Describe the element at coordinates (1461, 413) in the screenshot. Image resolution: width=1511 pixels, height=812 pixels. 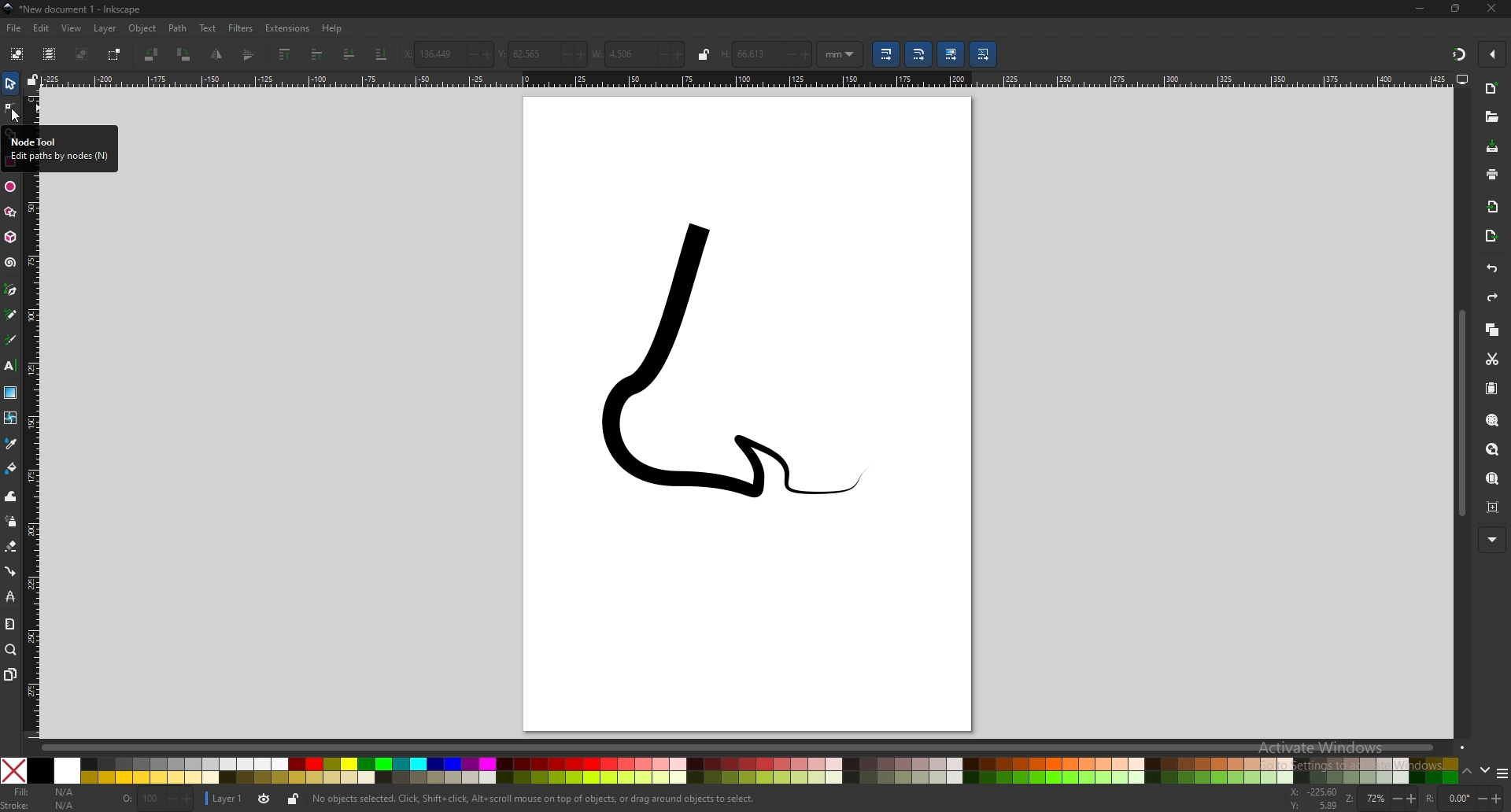
I see `scroll bar` at that location.